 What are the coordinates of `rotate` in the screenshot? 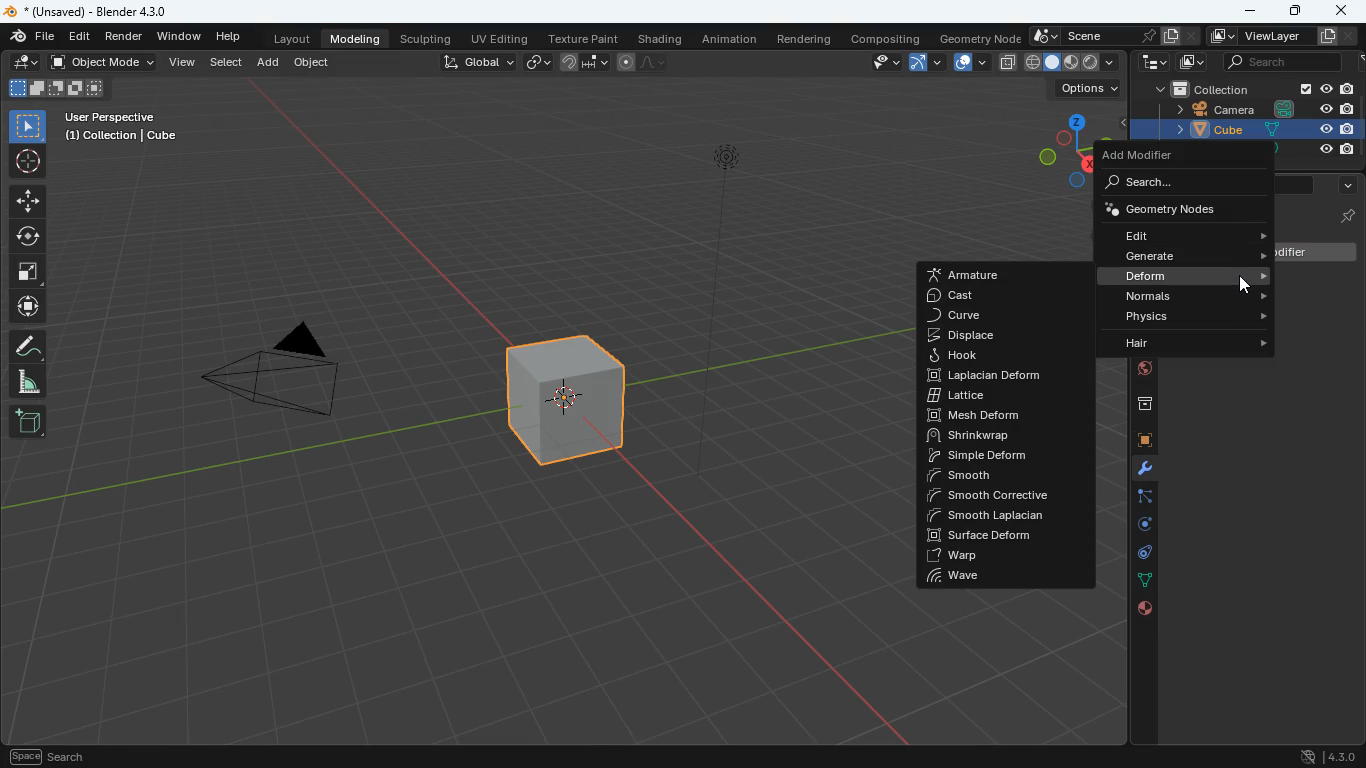 It's located at (28, 236).